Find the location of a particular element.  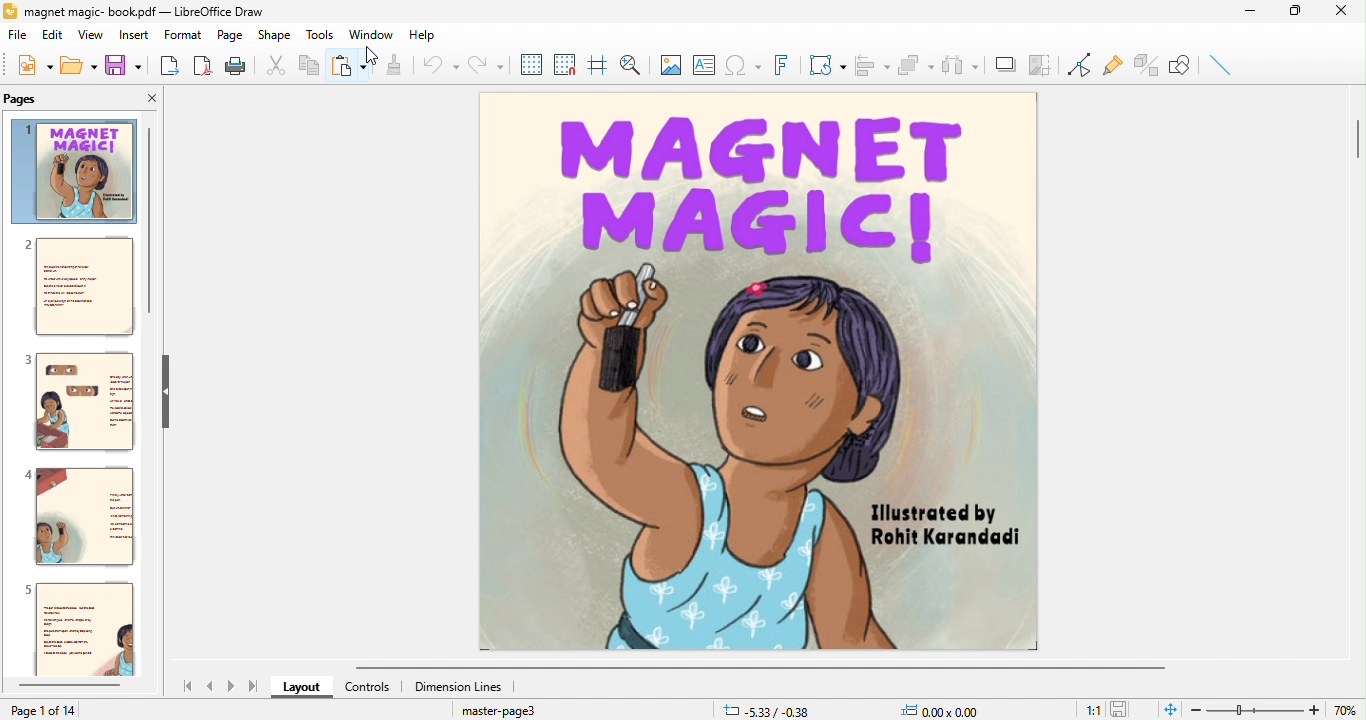

image is located at coordinates (667, 65).